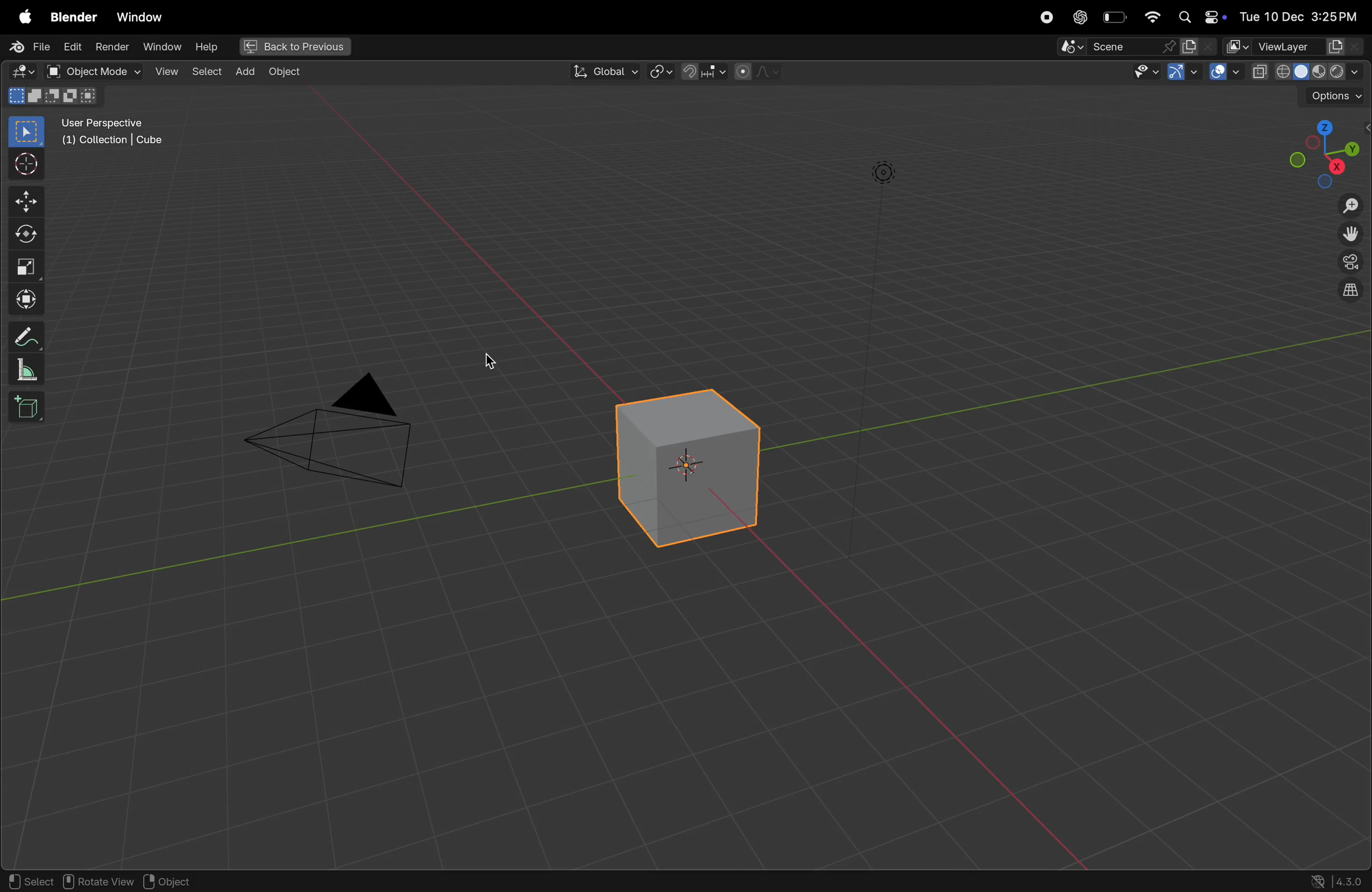 Image resolution: width=1372 pixels, height=892 pixels. What do you see at coordinates (19, 17) in the screenshot?
I see `Apple menu` at bounding box center [19, 17].